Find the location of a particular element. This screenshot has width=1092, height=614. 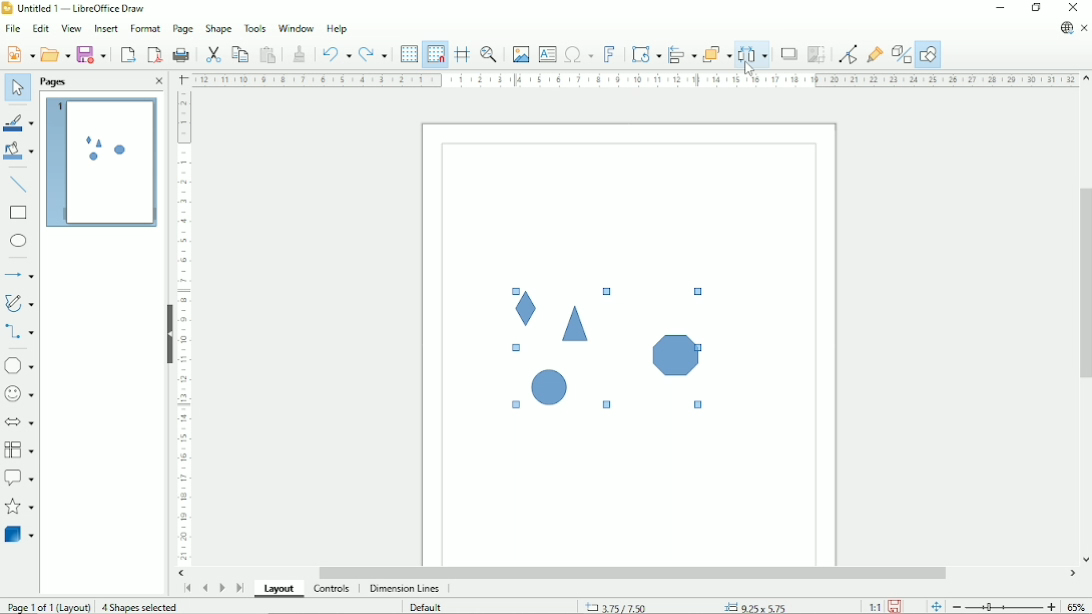

Zoom factor is located at coordinates (1078, 606).